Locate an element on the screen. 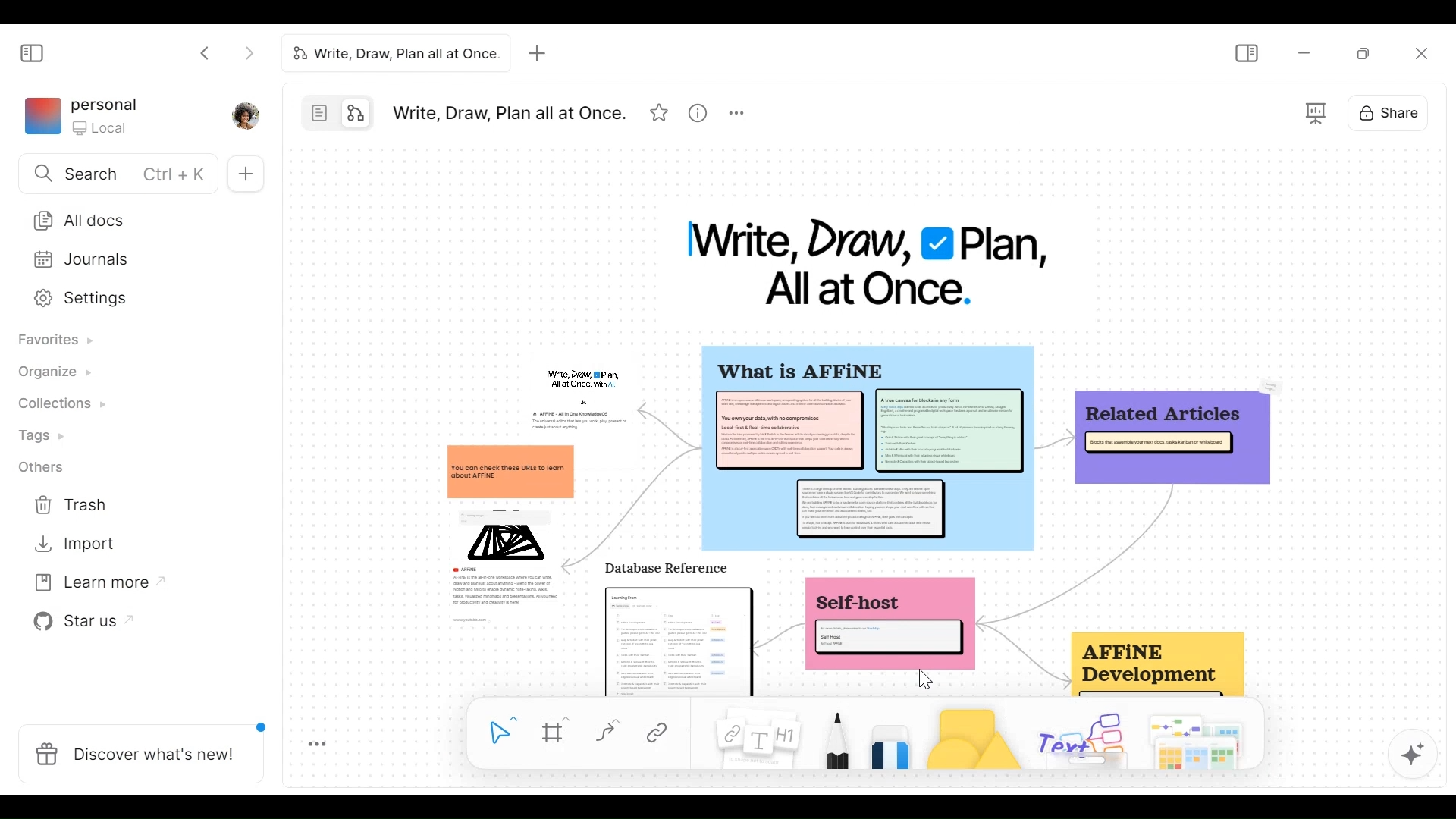  Search bar is located at coordinates (118, 173).